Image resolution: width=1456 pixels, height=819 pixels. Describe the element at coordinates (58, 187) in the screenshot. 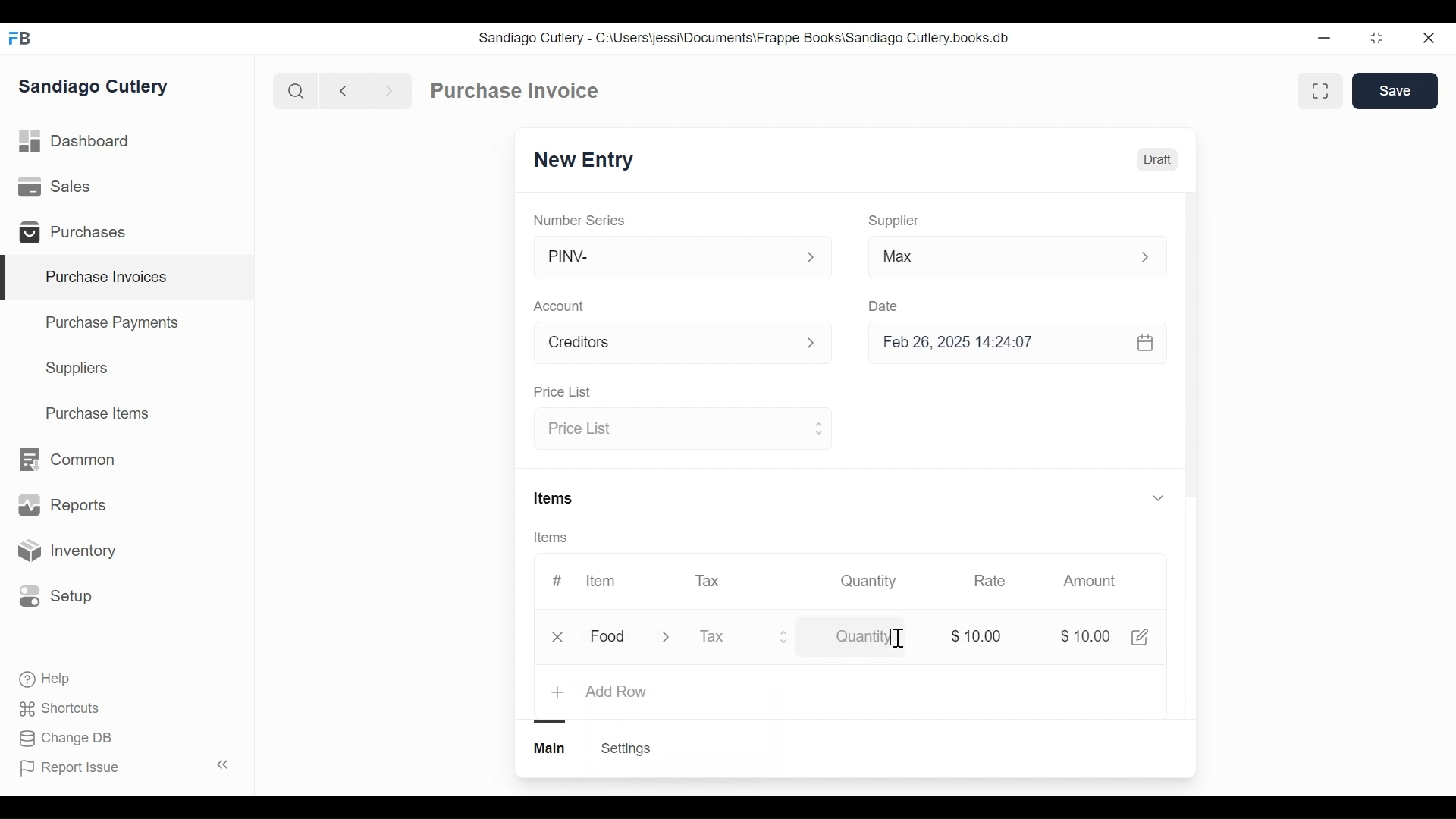

I see `Sales` at that location.